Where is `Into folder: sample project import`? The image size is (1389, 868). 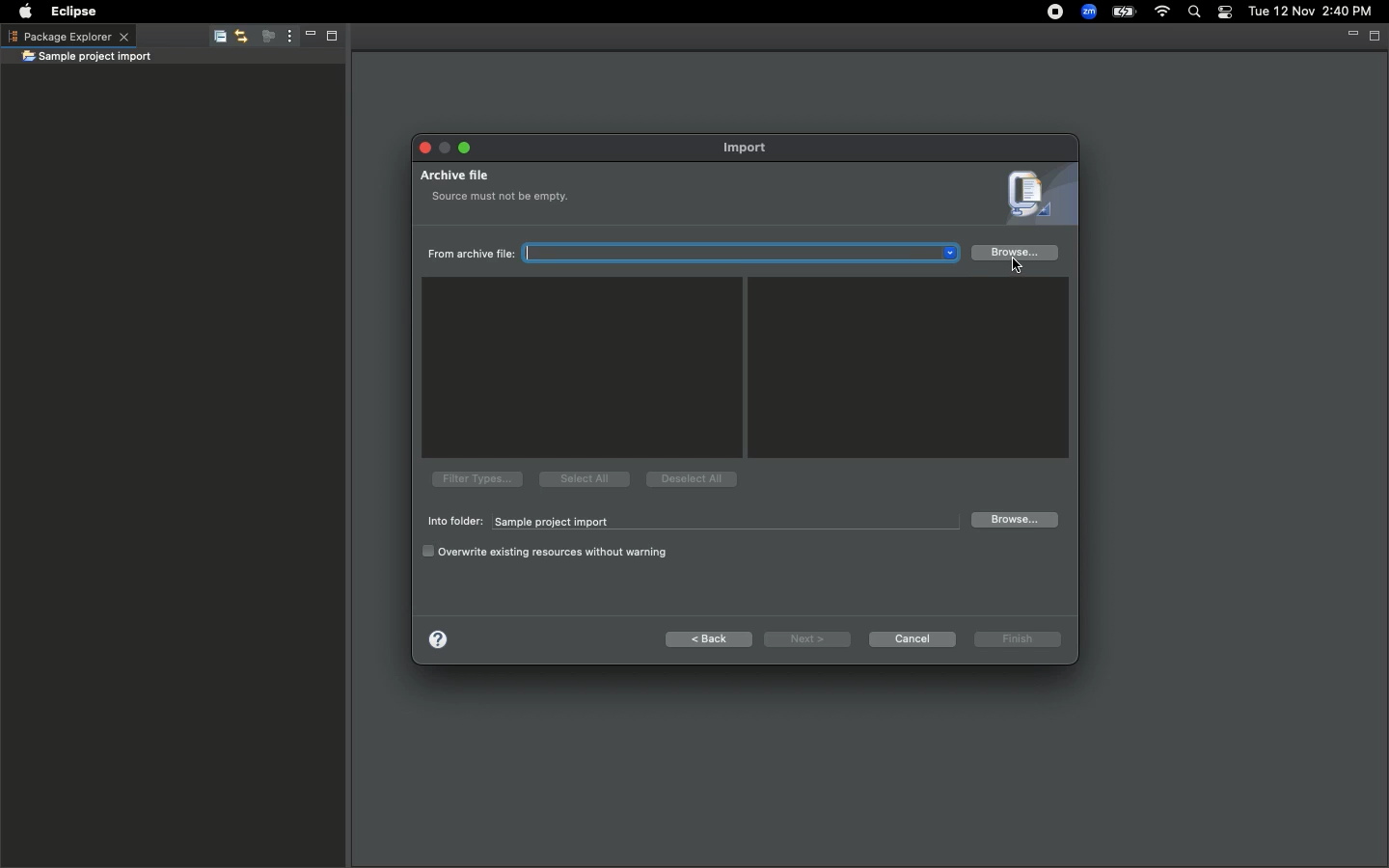
Into folder: sample project import is located at coordinates (687, 522).